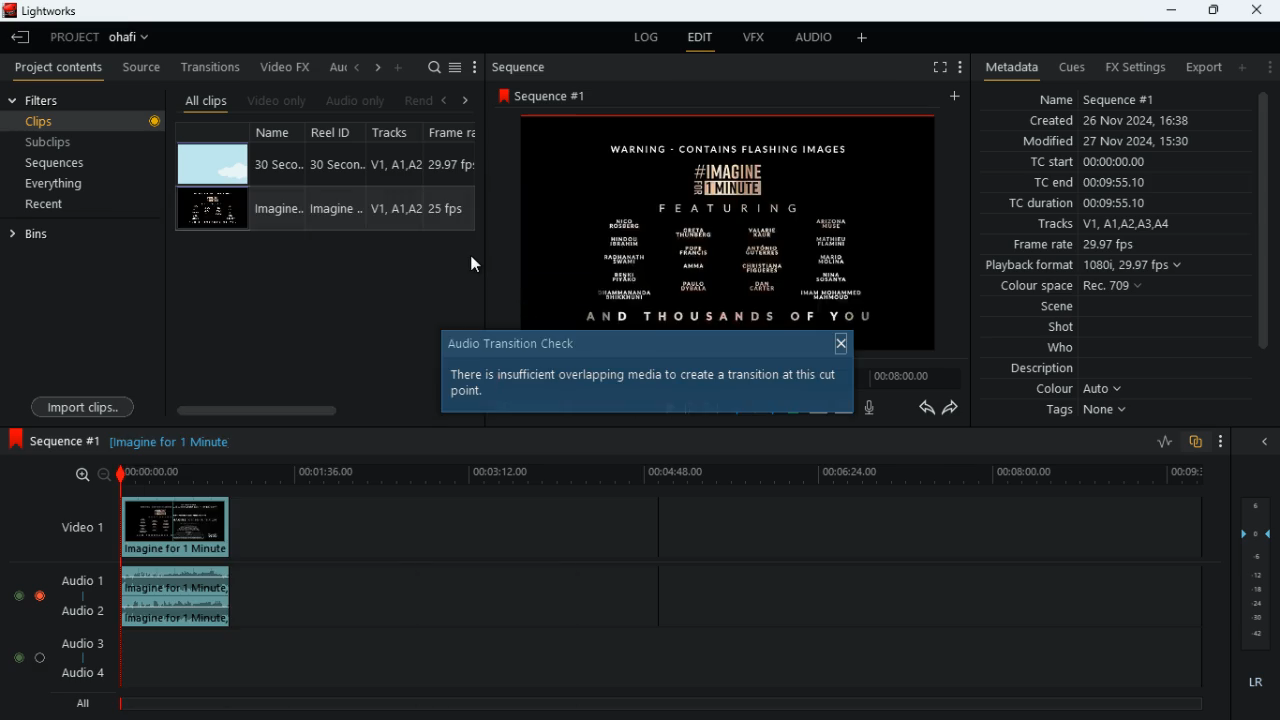 This screenshot has height=720, width=1280. I want to click on fullscreen, so click(938, 68).